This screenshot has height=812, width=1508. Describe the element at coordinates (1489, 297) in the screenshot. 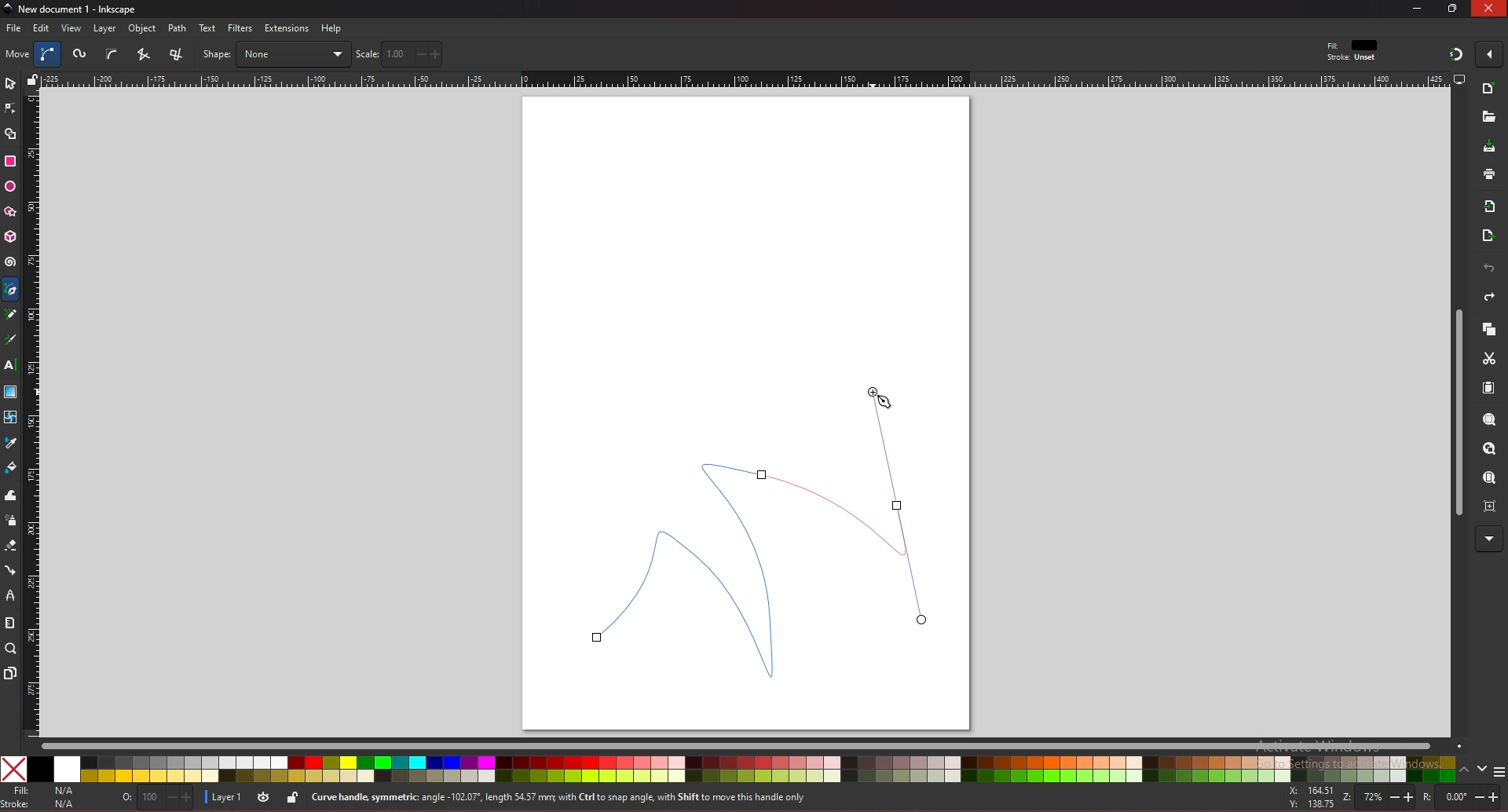

I see `redo` at that location.